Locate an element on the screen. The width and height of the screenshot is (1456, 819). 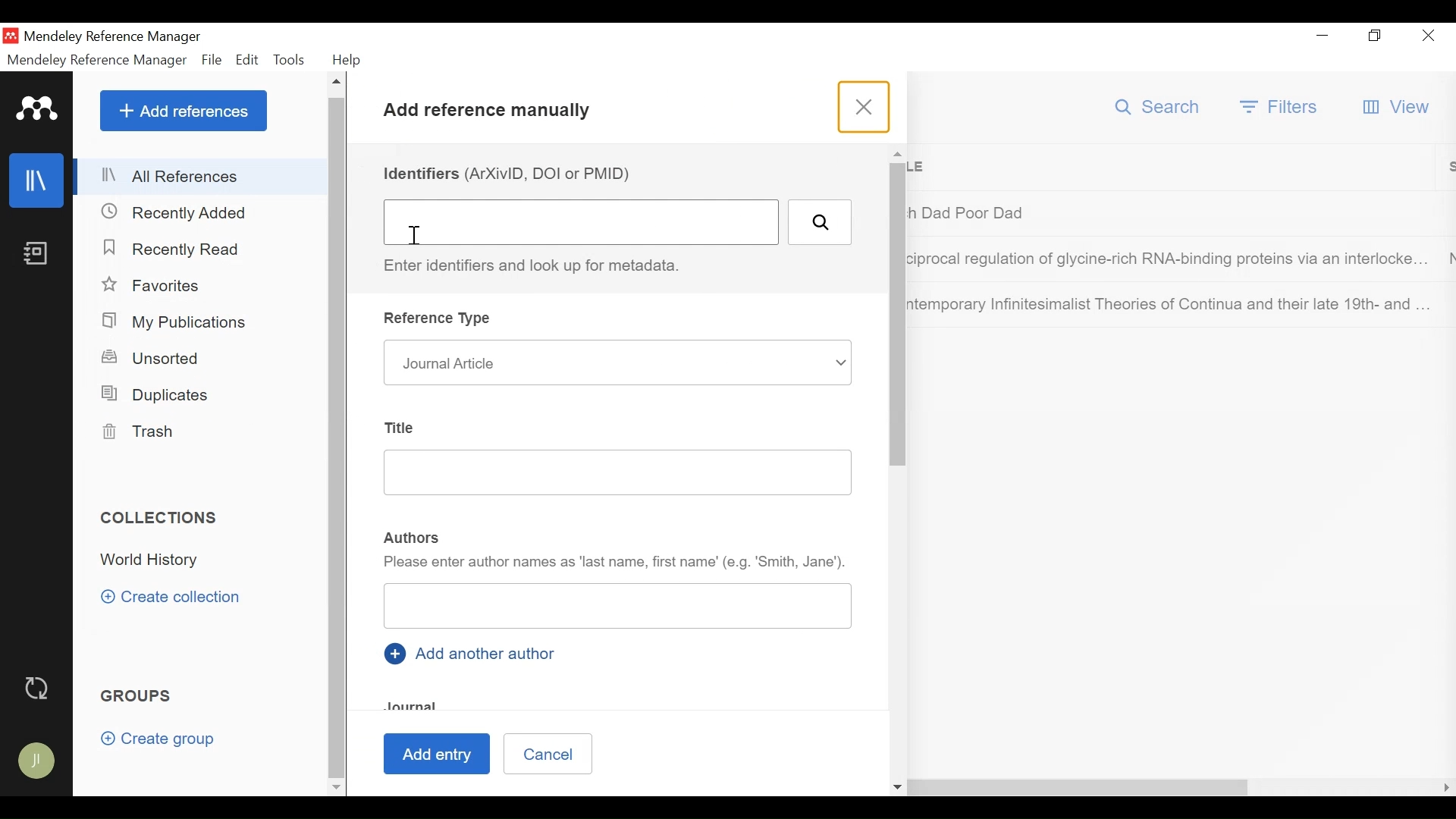
Title is located at coordinates (403, 428).